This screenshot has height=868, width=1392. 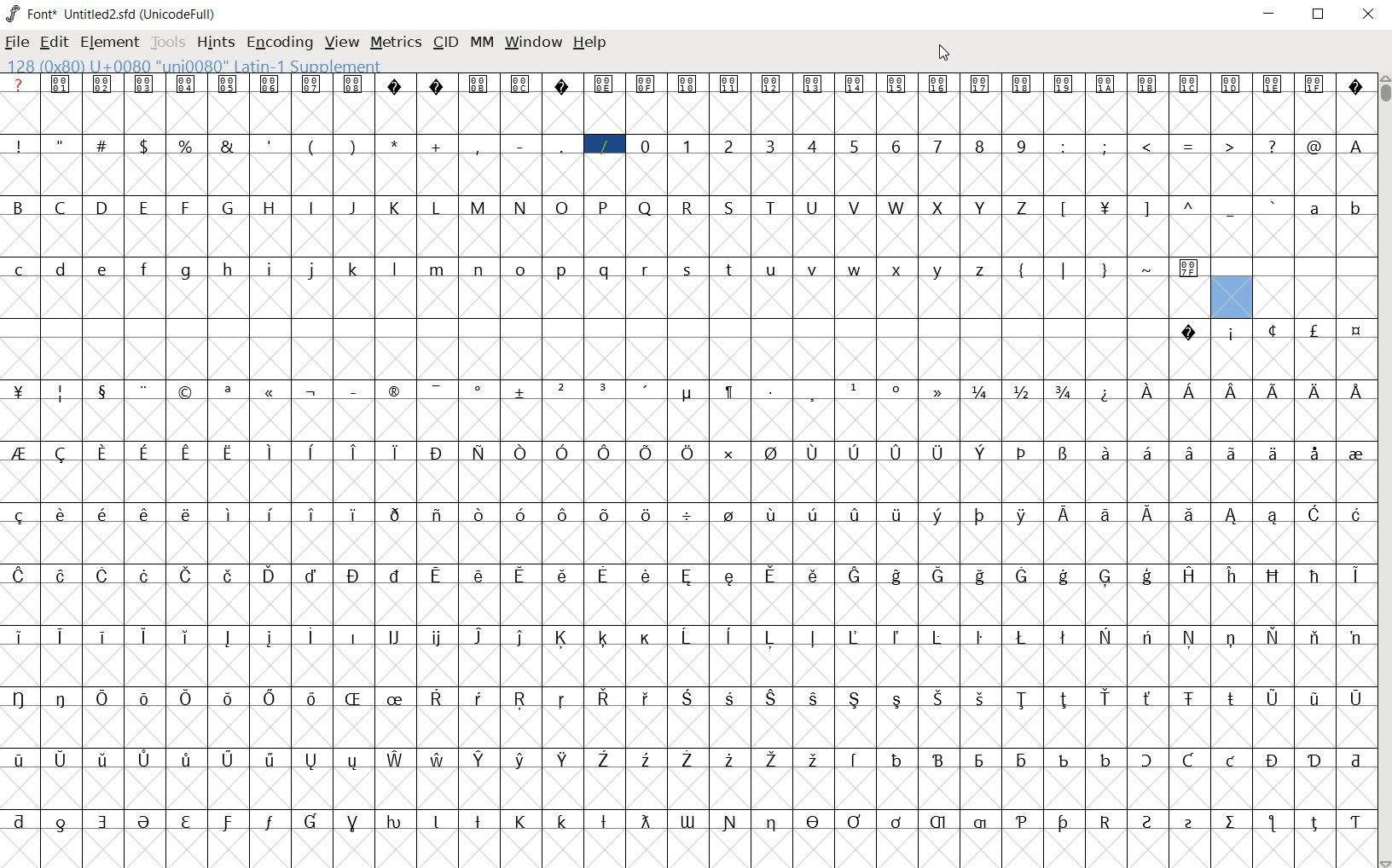 What do you see at coordinates (1273, 761) in the screenshot?
I see `glyph` at bounding box center [1273, 761].